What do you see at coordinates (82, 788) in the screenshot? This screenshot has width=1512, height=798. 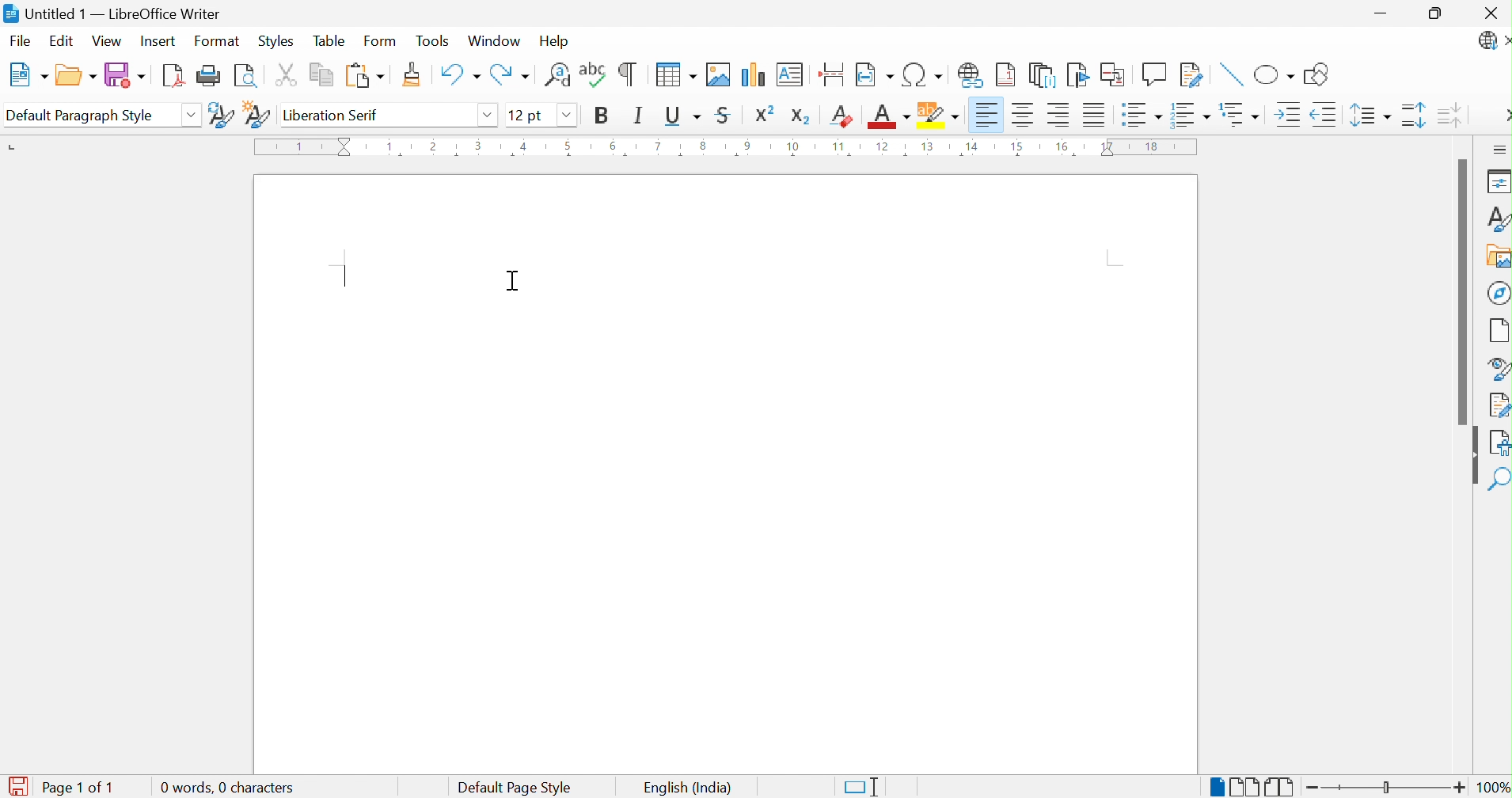 I see `Page 1 of 1` at bounding box center [82, 788].